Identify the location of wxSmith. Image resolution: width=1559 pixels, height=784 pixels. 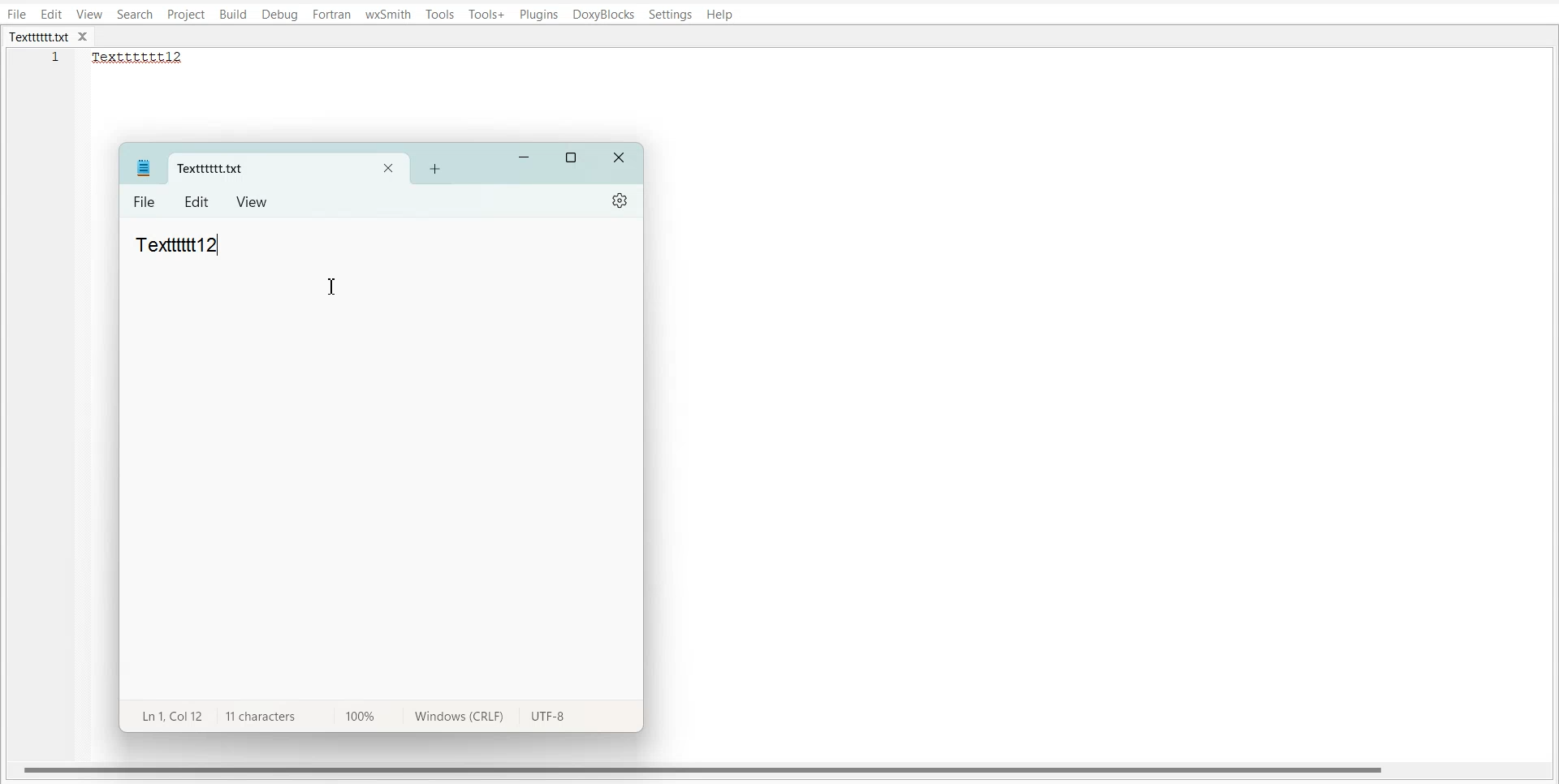
(389, 14).